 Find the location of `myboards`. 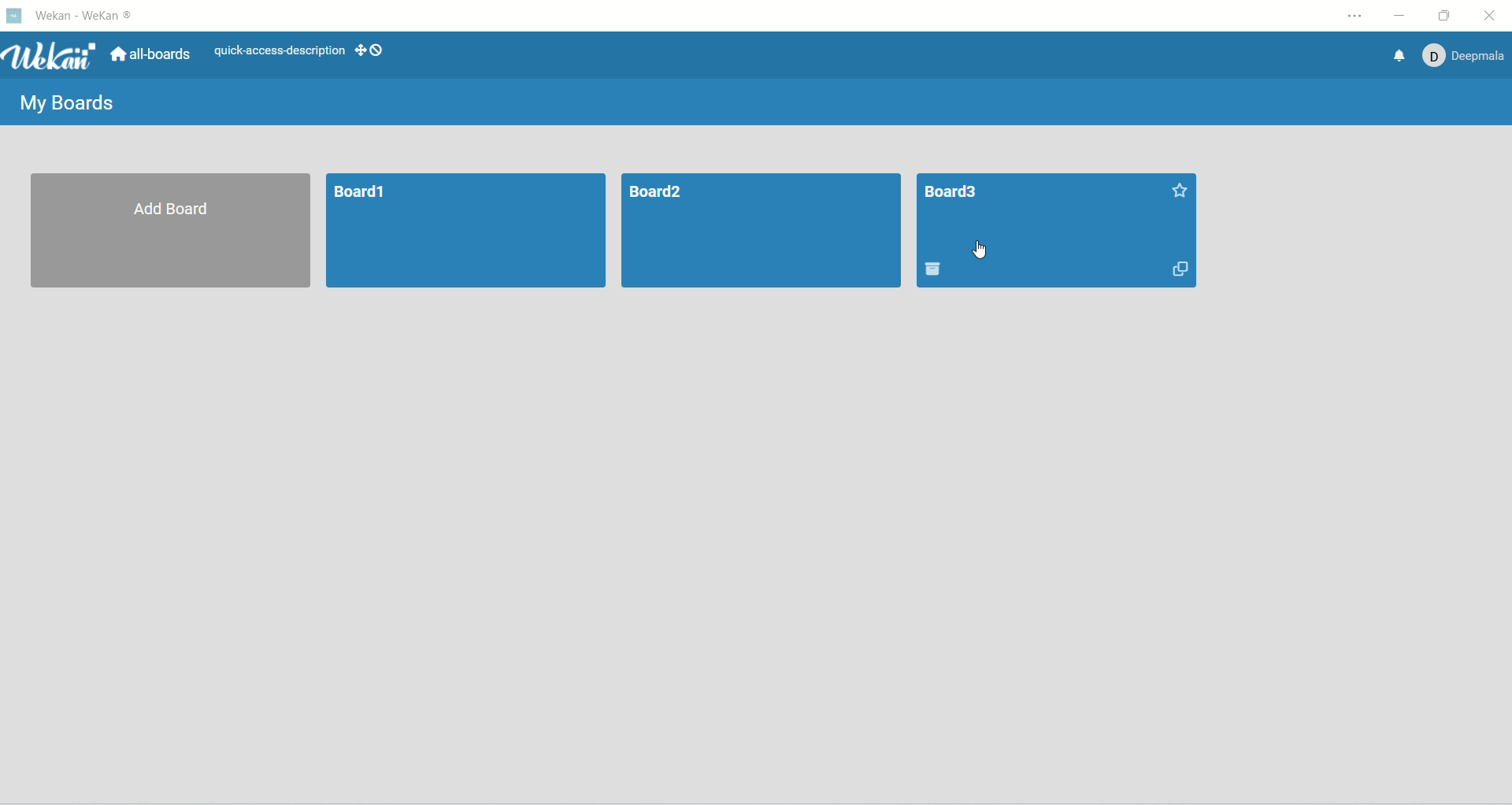

myboards is located at coordinates (65, 102).